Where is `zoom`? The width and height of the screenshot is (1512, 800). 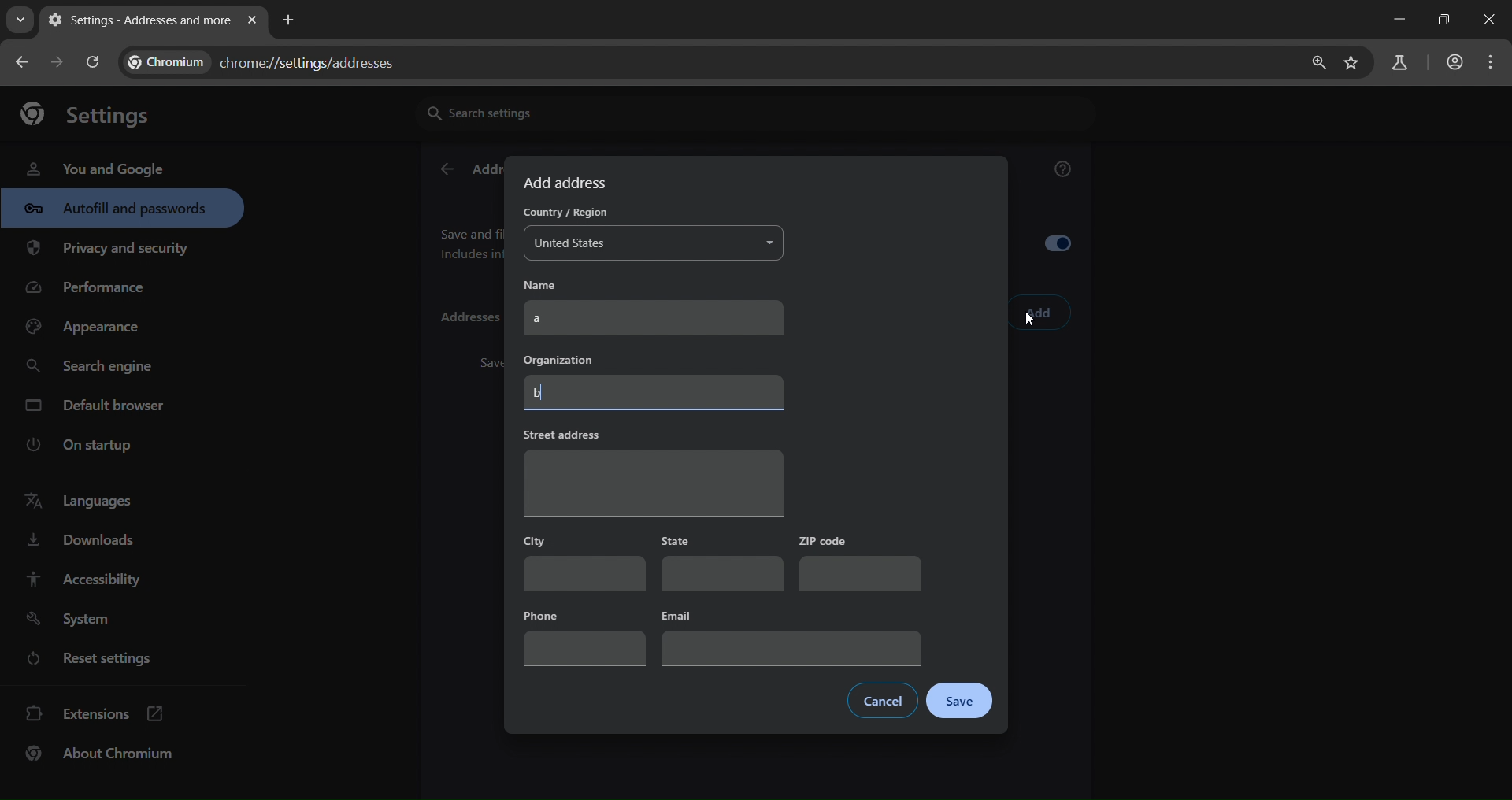 zoom is located at coordinates (1314, 63).